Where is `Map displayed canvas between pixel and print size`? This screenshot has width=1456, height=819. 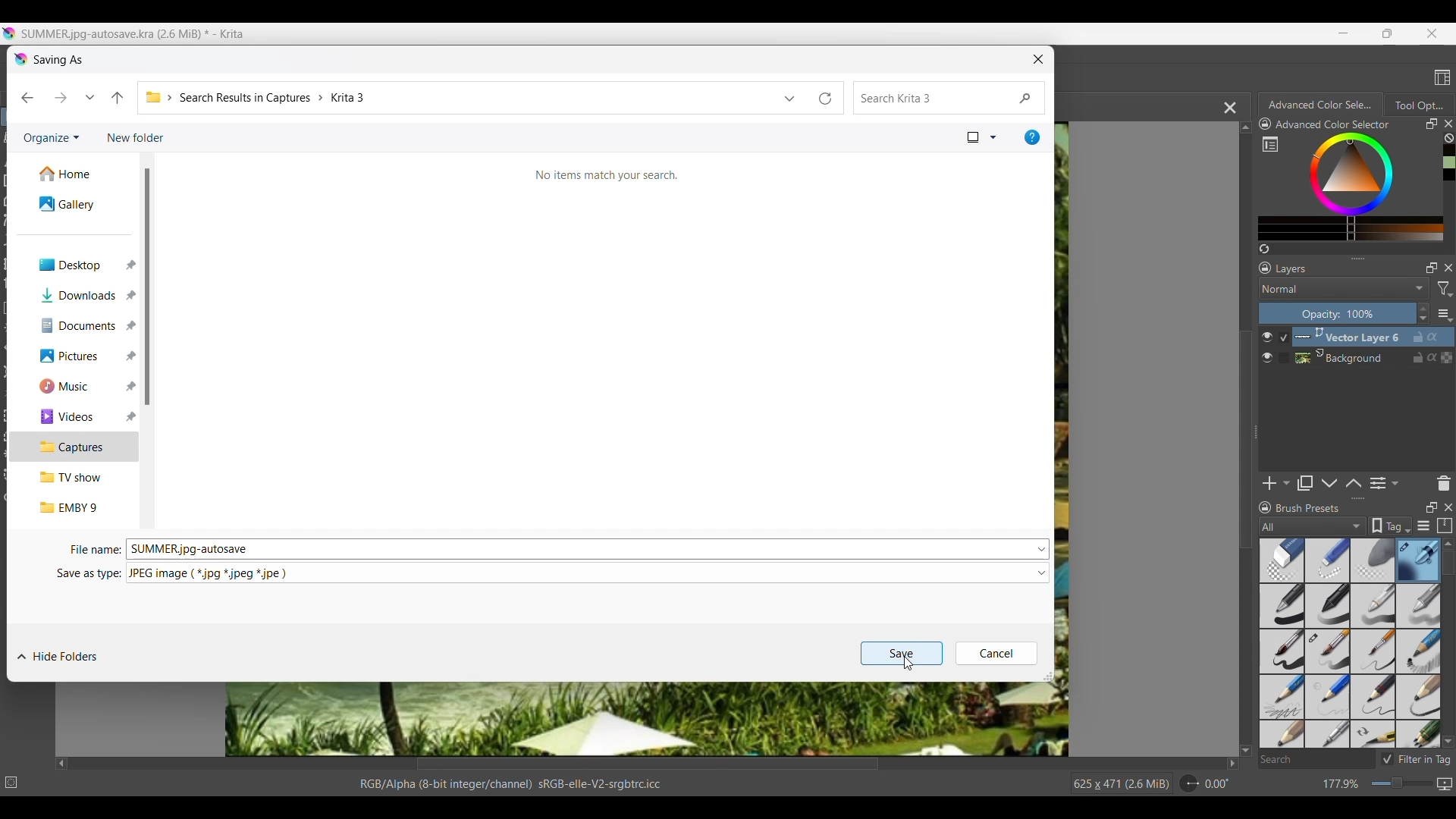 Map displayed canvas between pixel and print size is located at coordinates (1444, 784).